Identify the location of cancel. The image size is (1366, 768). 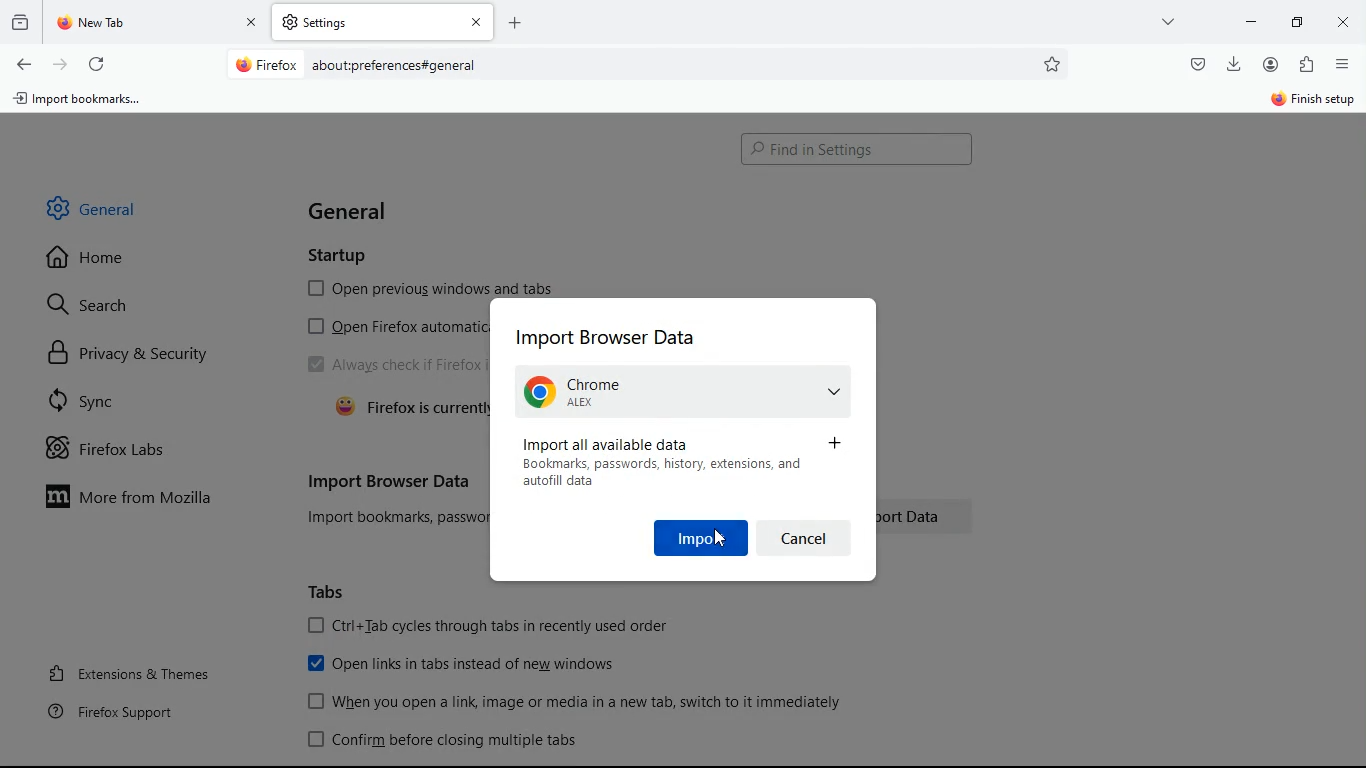
(804, 539).